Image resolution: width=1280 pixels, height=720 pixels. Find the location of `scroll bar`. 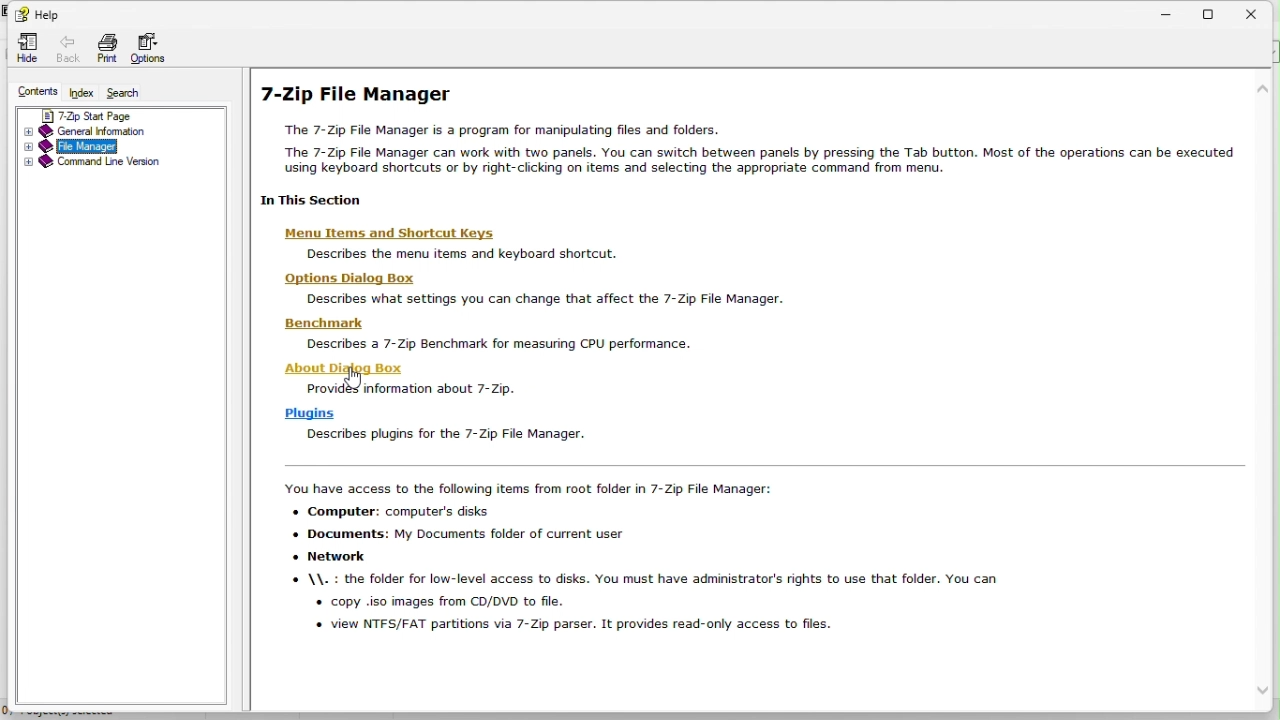

scroll bar is located at coordinates (1268, 393).